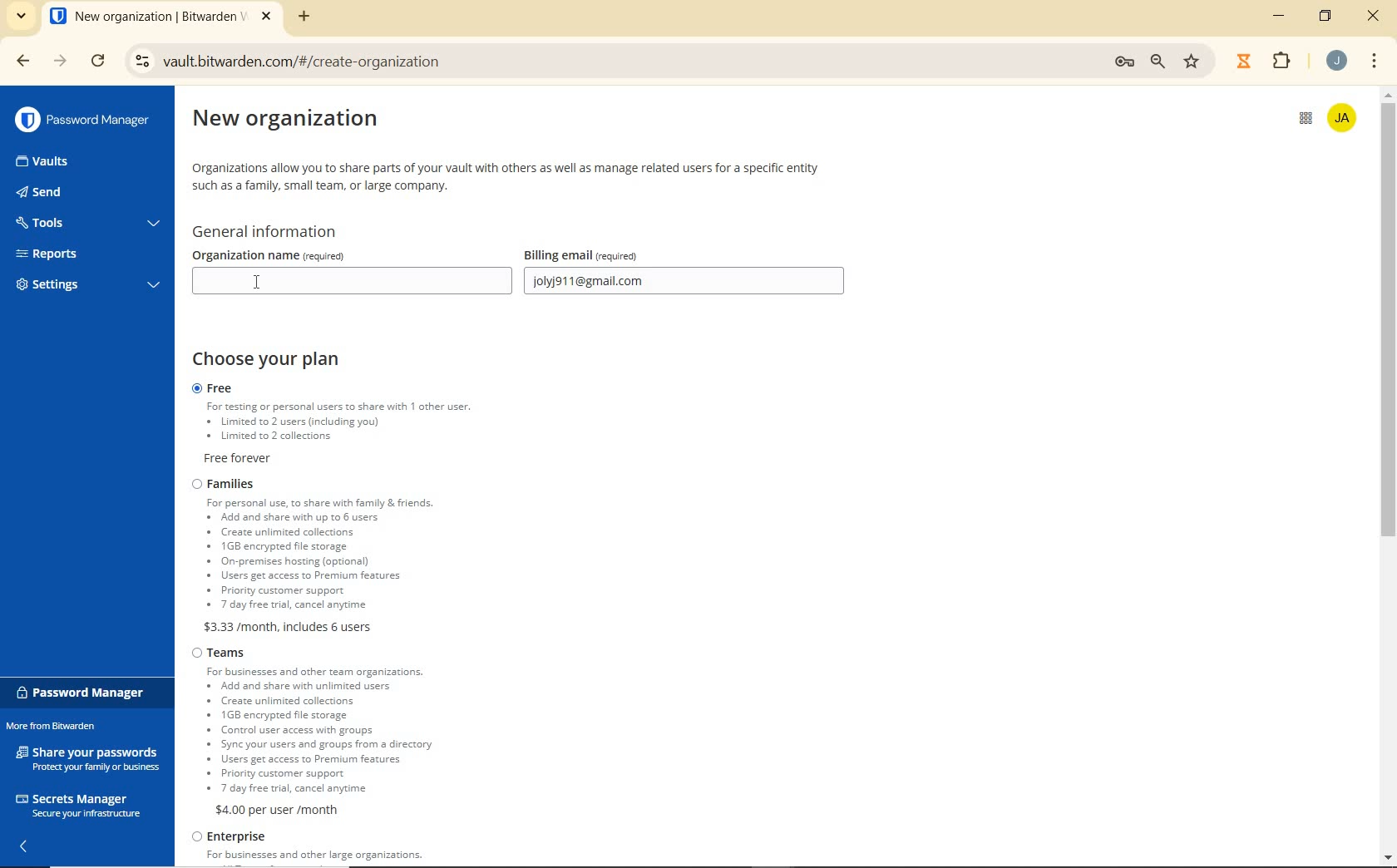  I want to click on cursor, so click(260, 279).